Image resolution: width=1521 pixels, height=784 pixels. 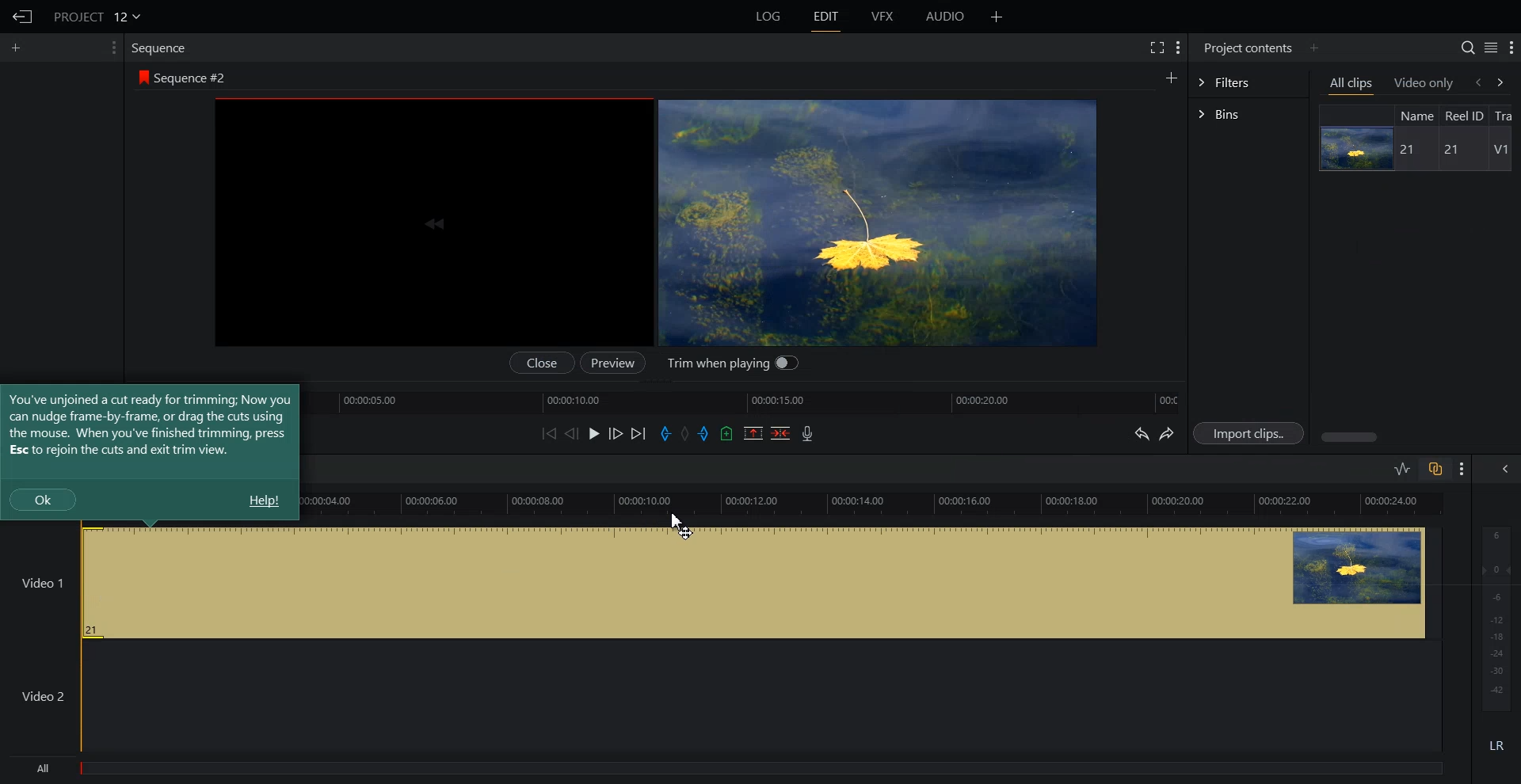 I want to click on EDIT, so click(x=825, y=17).